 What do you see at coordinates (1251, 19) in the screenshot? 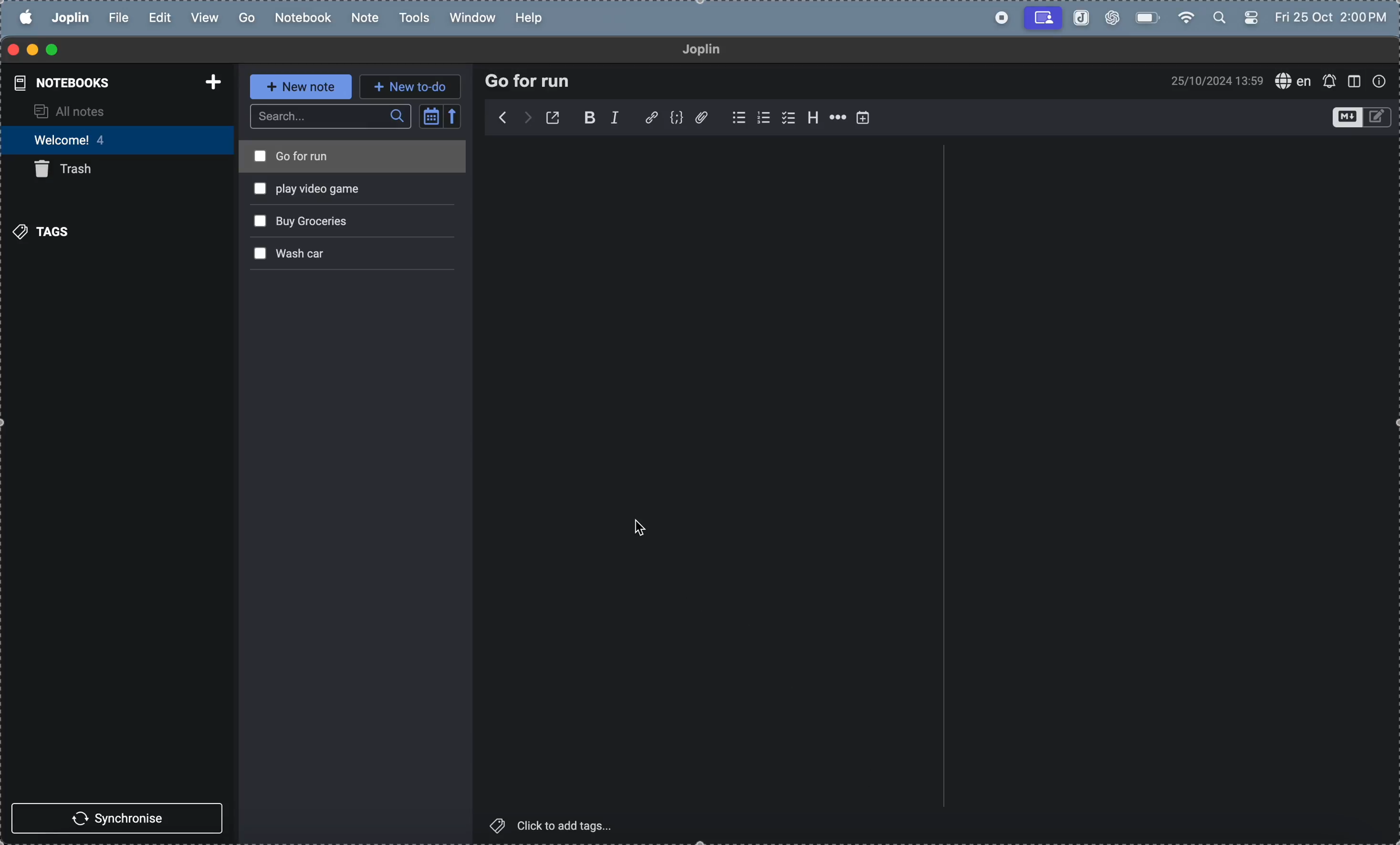
I see `Dark theme Toggle ` at bounding box center [1251, 19].